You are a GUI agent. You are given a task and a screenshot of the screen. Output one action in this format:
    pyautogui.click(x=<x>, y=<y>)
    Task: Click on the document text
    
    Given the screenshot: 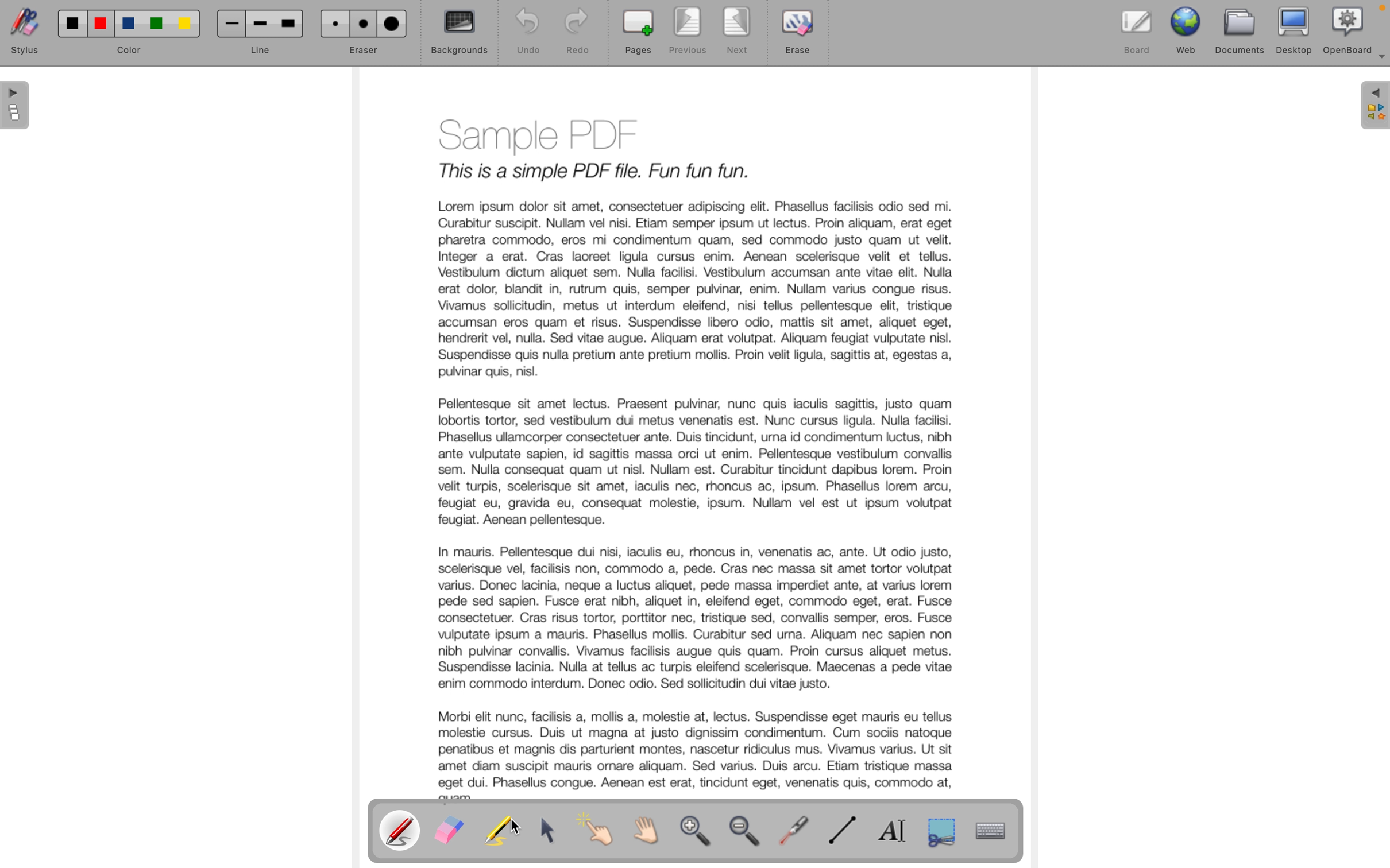 What is the action you would take?
    pyautogui.click(x=704, y=455)
    